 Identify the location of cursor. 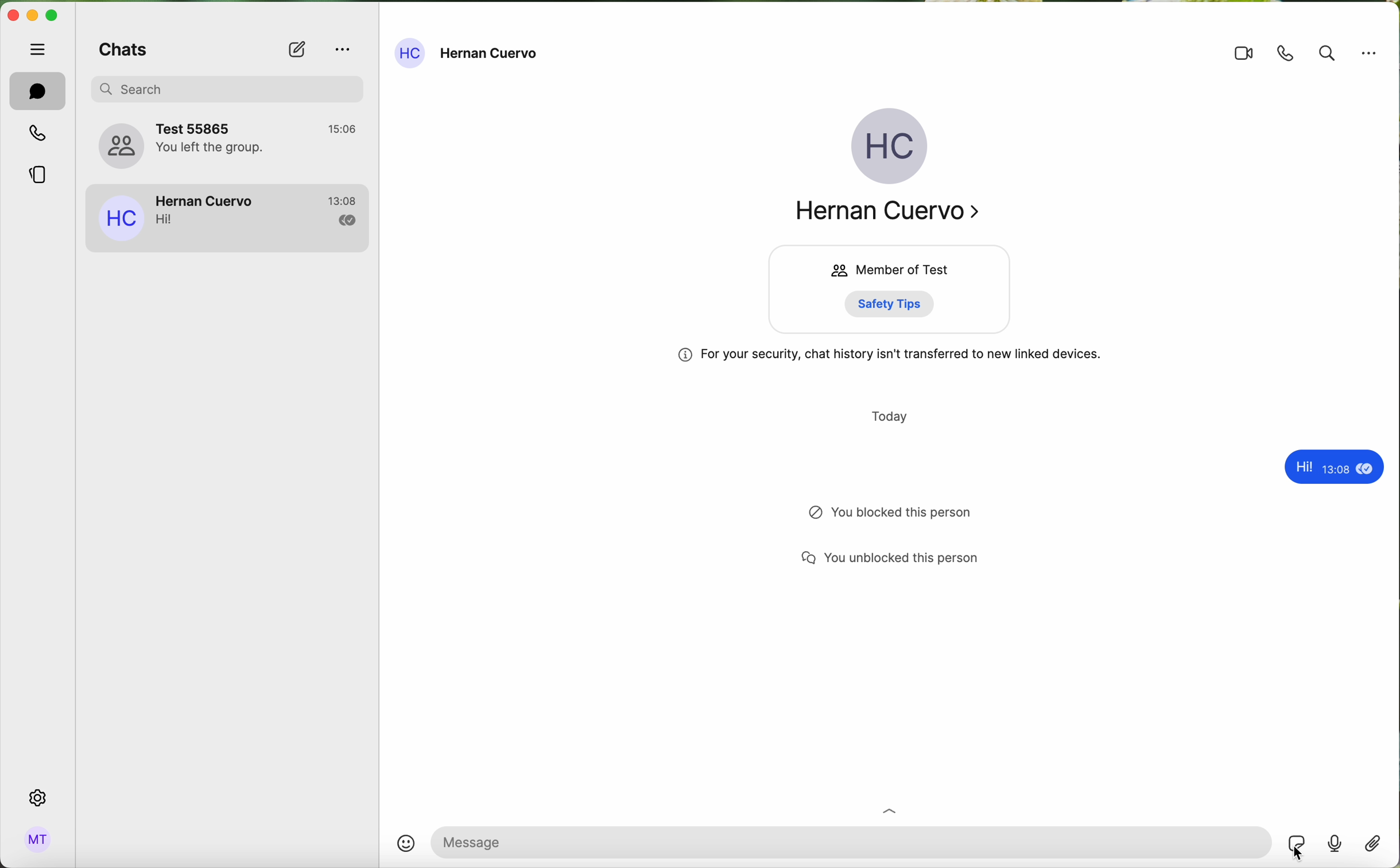
(1298, 854).